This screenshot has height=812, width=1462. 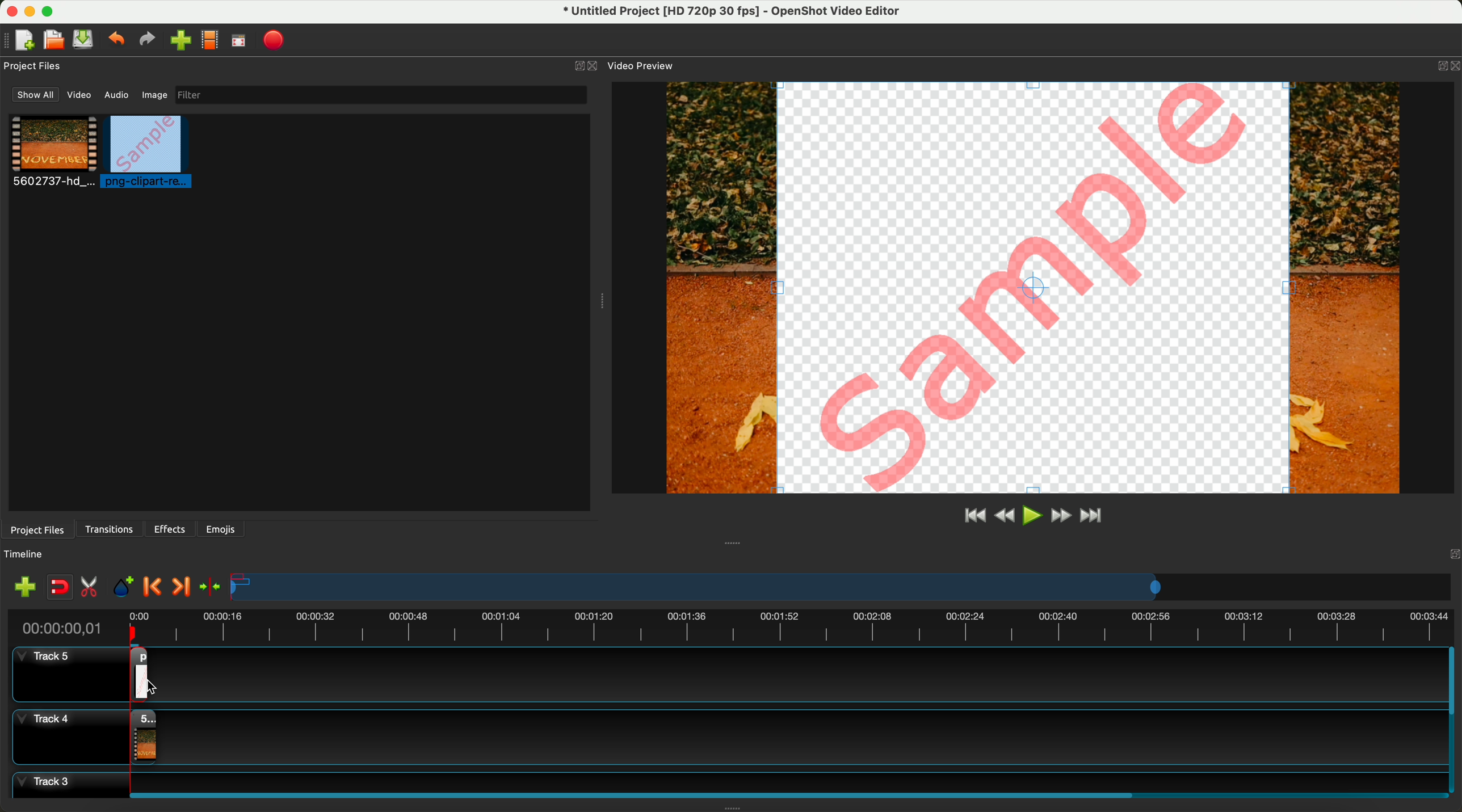 What do you see at coordinates (725, 13) in the screenshot?
I see `file name` at bounding box center [725, 13].